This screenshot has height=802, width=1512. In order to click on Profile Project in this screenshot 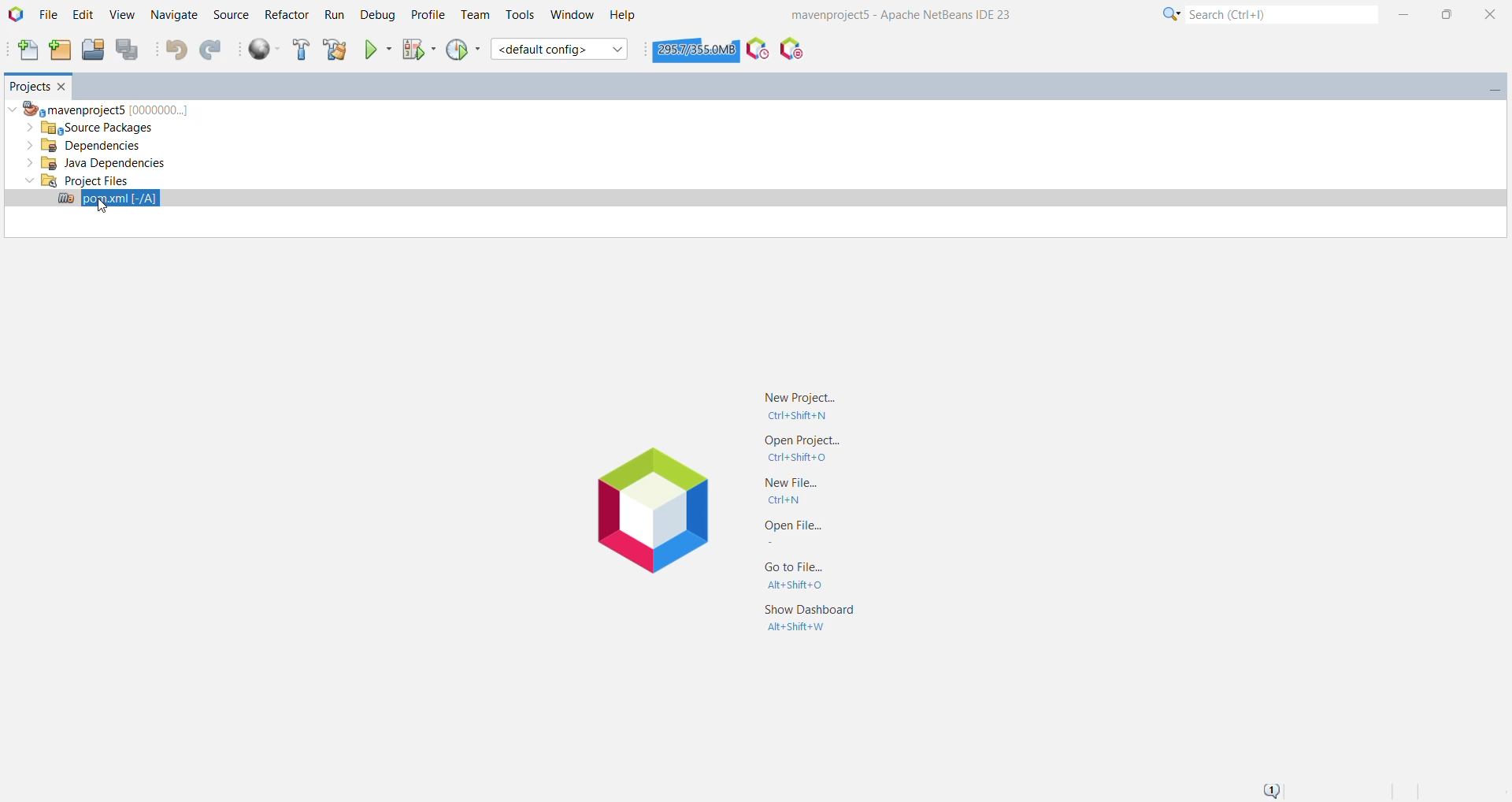, I will do `click(465, 50)`.